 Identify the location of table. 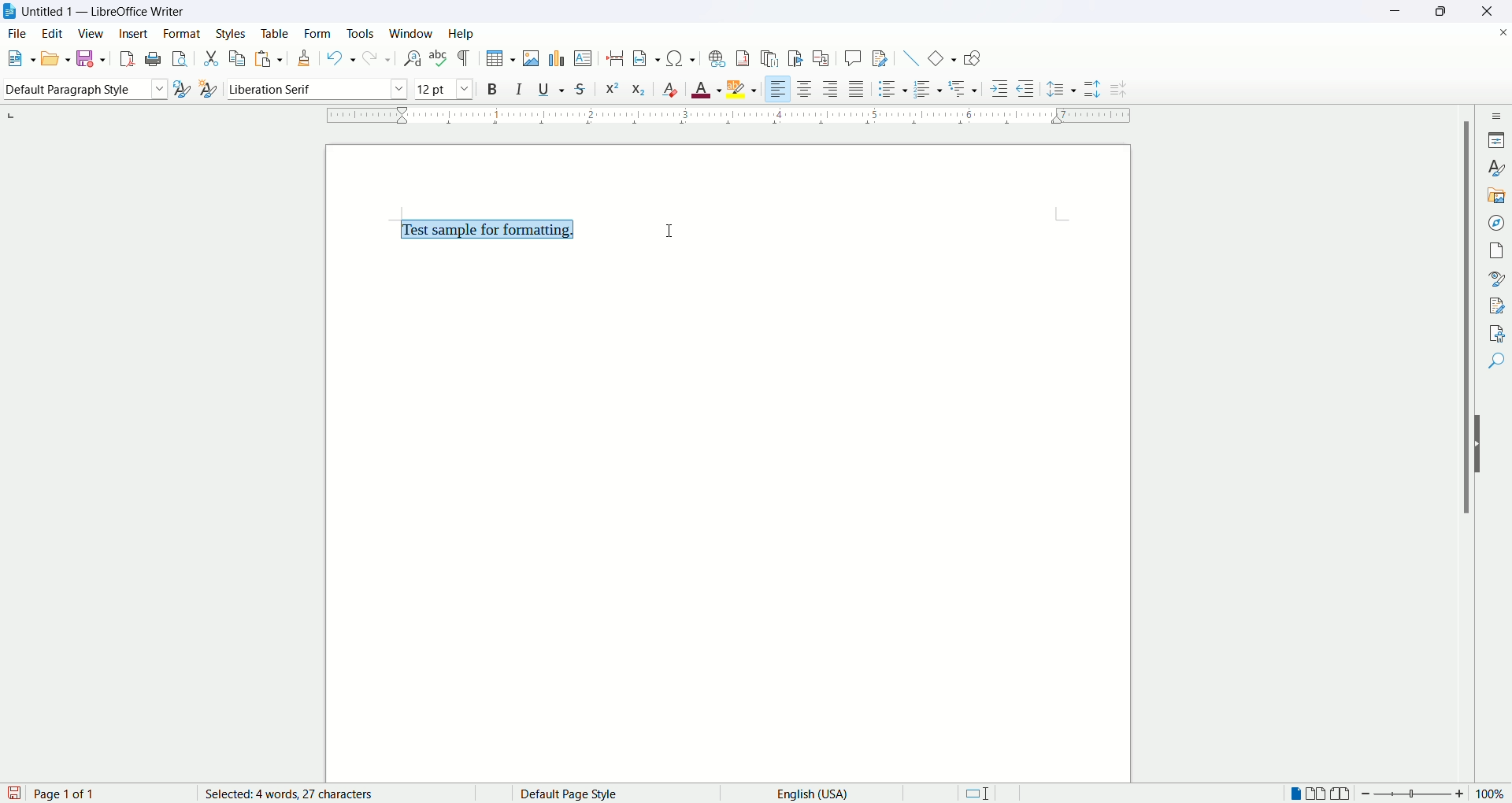
(276, 33).